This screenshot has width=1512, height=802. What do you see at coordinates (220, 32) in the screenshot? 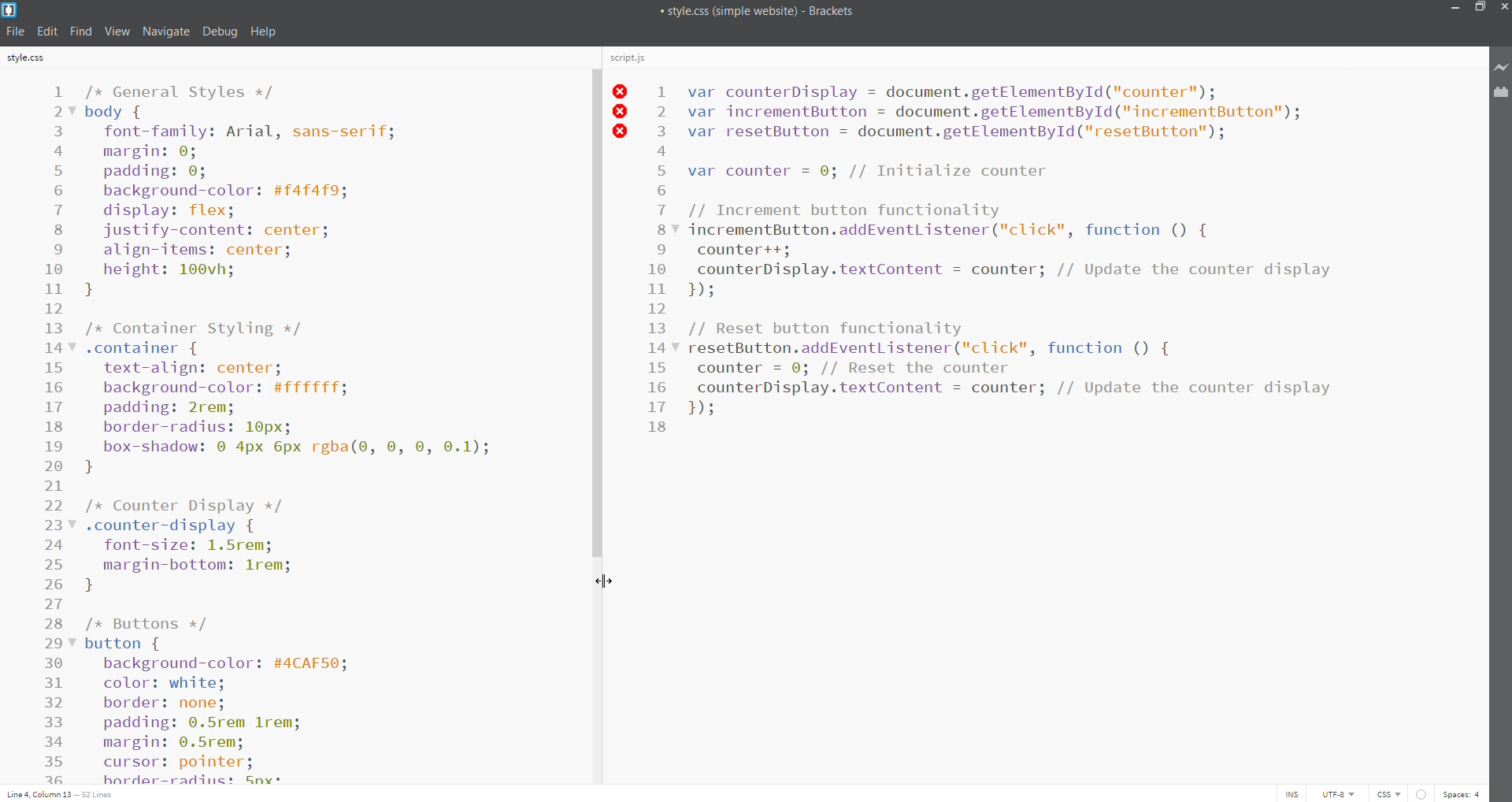
I see `debug` at bounding box center [220, 32].